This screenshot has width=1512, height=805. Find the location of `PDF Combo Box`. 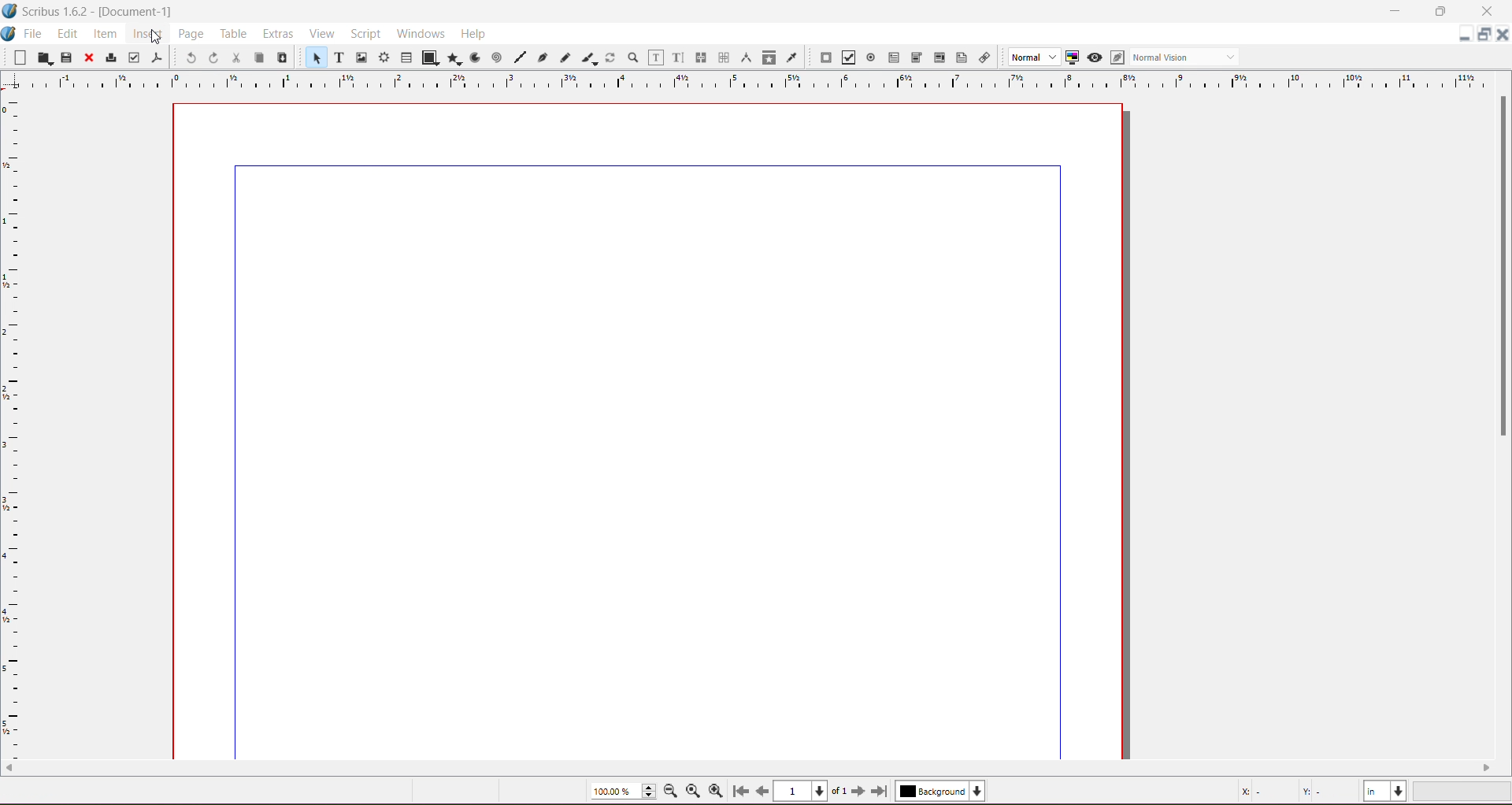

PDF Combo Box is located at coordinates (917, 57).